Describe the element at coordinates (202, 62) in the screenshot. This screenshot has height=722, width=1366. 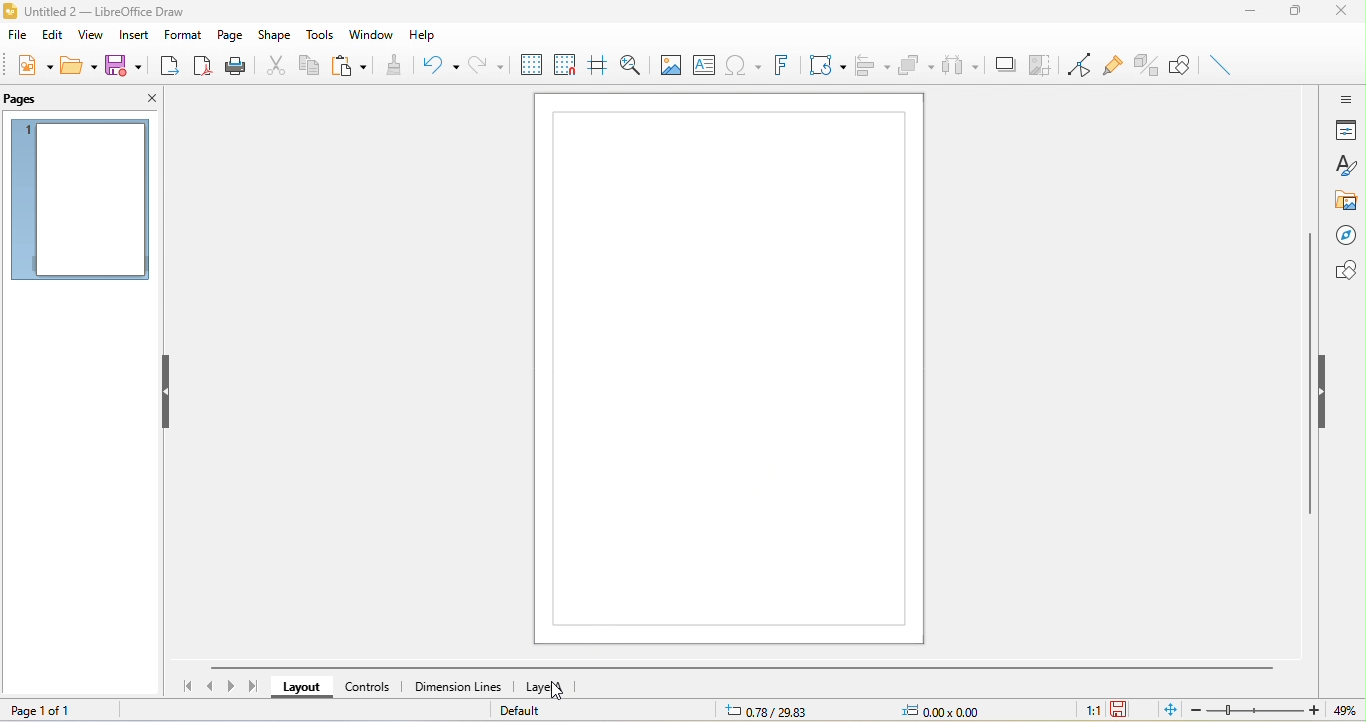
I see `export directly as pdf` at that location.